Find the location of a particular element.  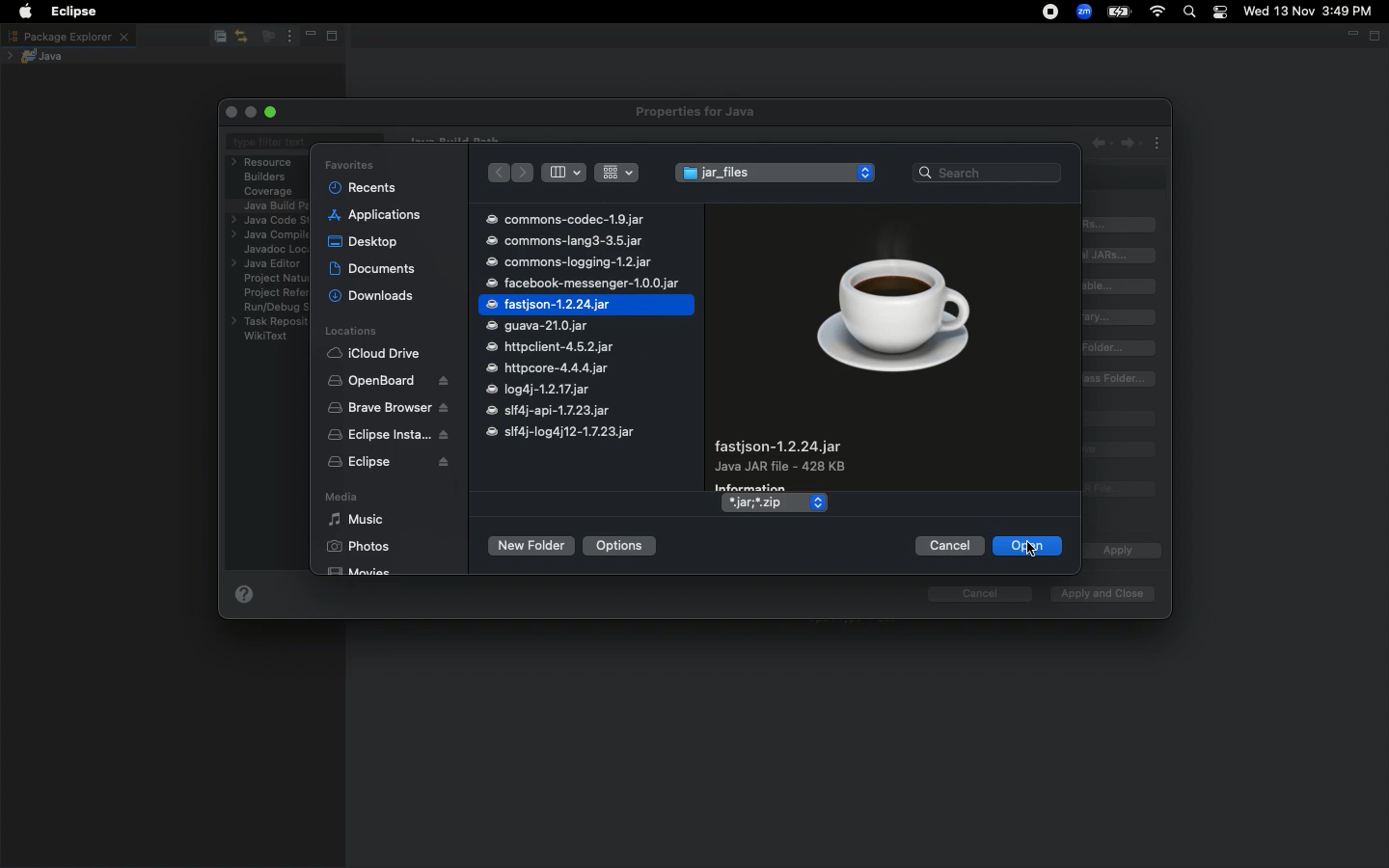

Focus on active task is located at coordinates (266, 38).